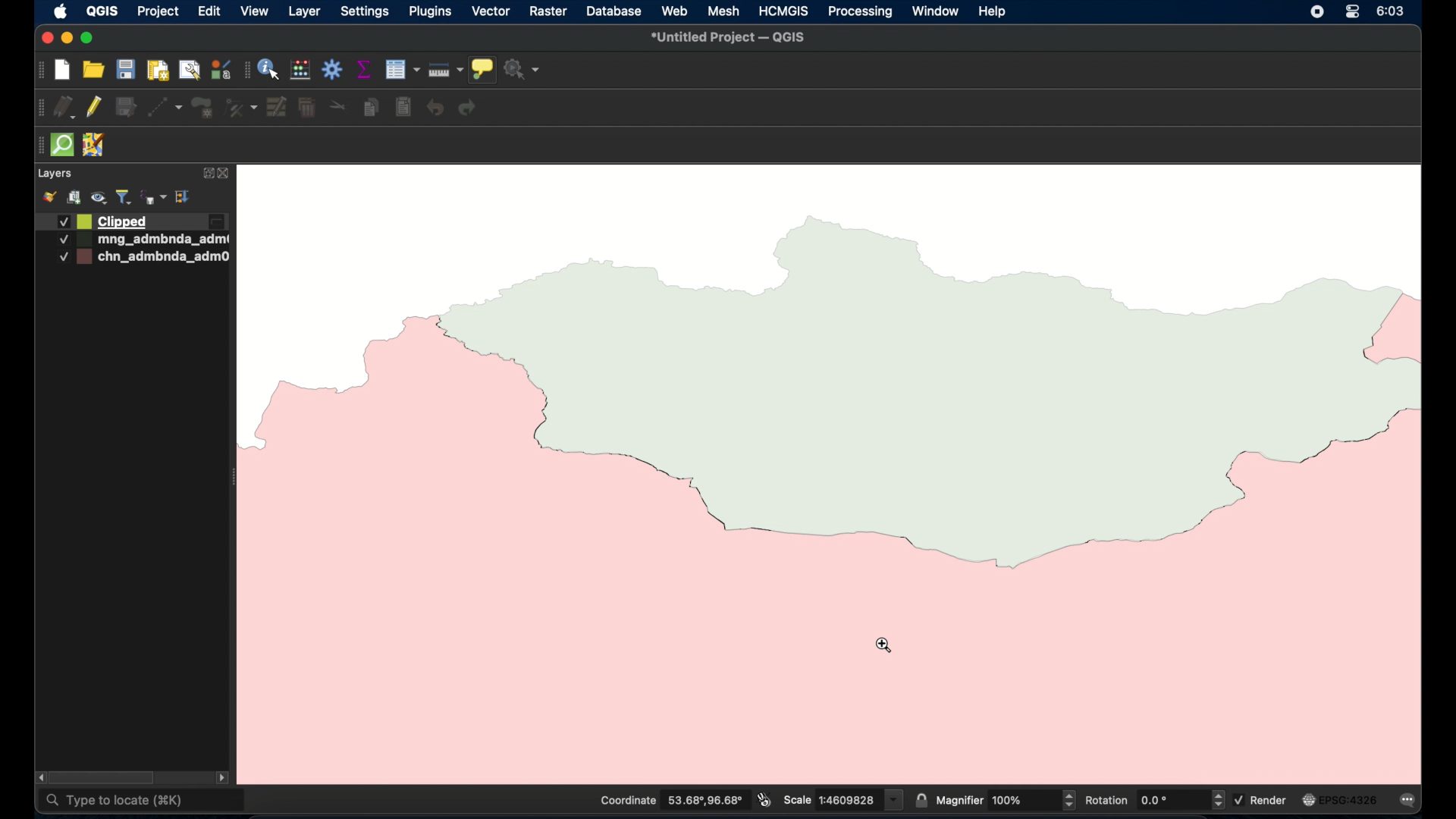  What do you see at coordinates (222, 780) in the screenshot?
I see `scroll right` at bounding box center [222, 780].